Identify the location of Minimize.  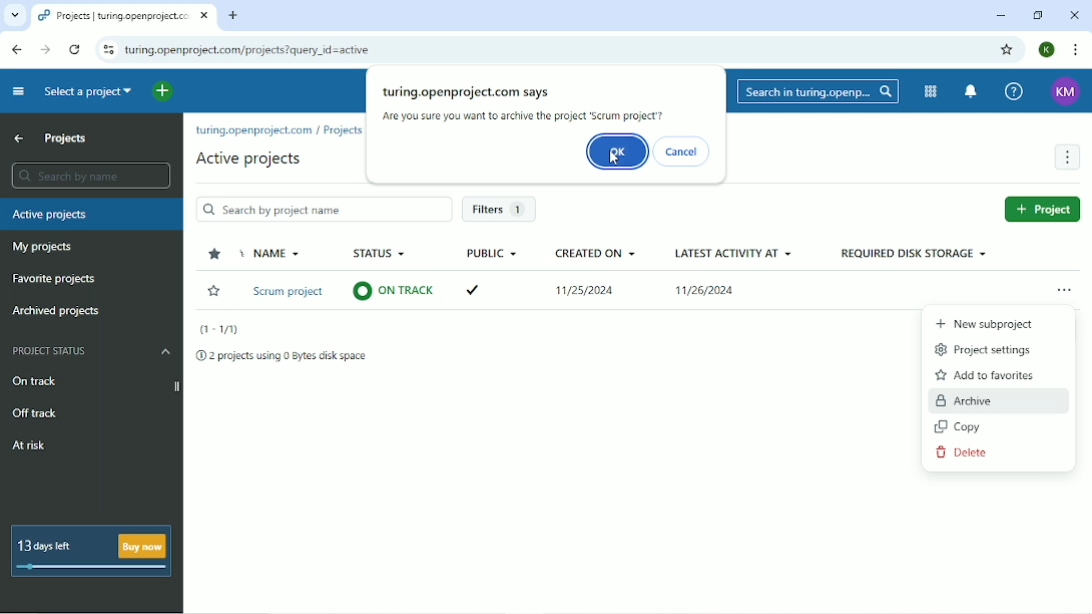
(1001, 16).